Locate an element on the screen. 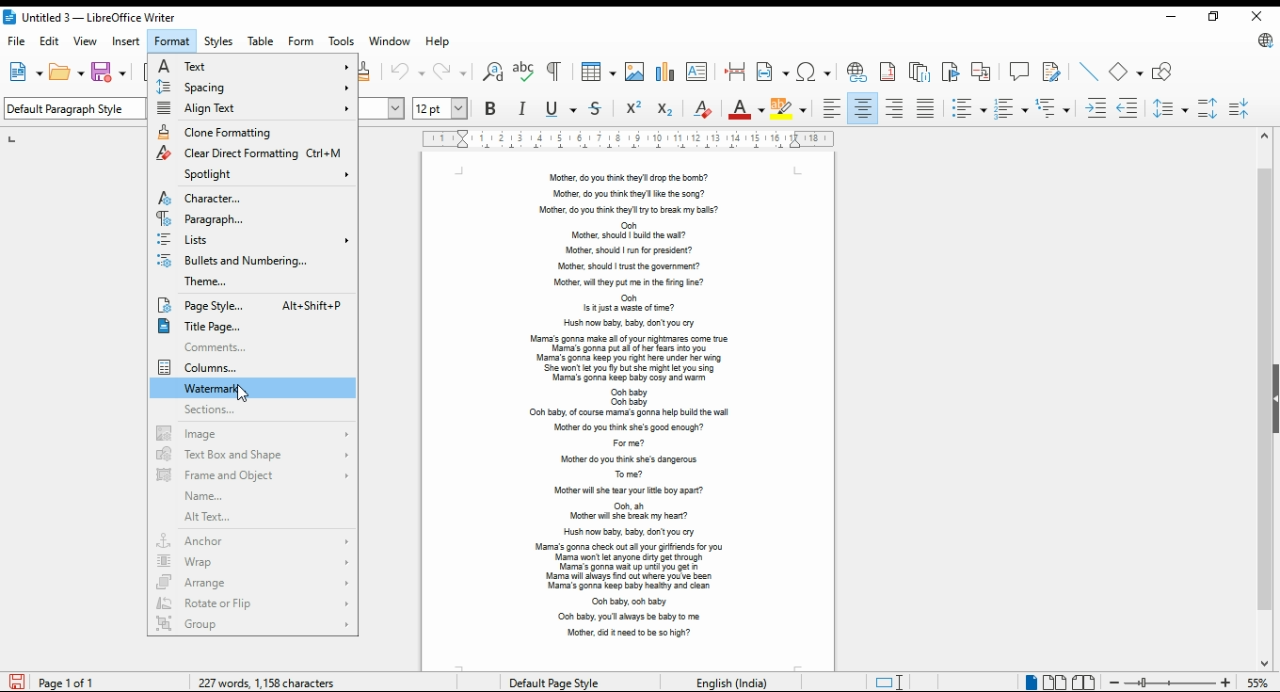 The image size is (1280, 692). document info is located at coordinates (269, 680).